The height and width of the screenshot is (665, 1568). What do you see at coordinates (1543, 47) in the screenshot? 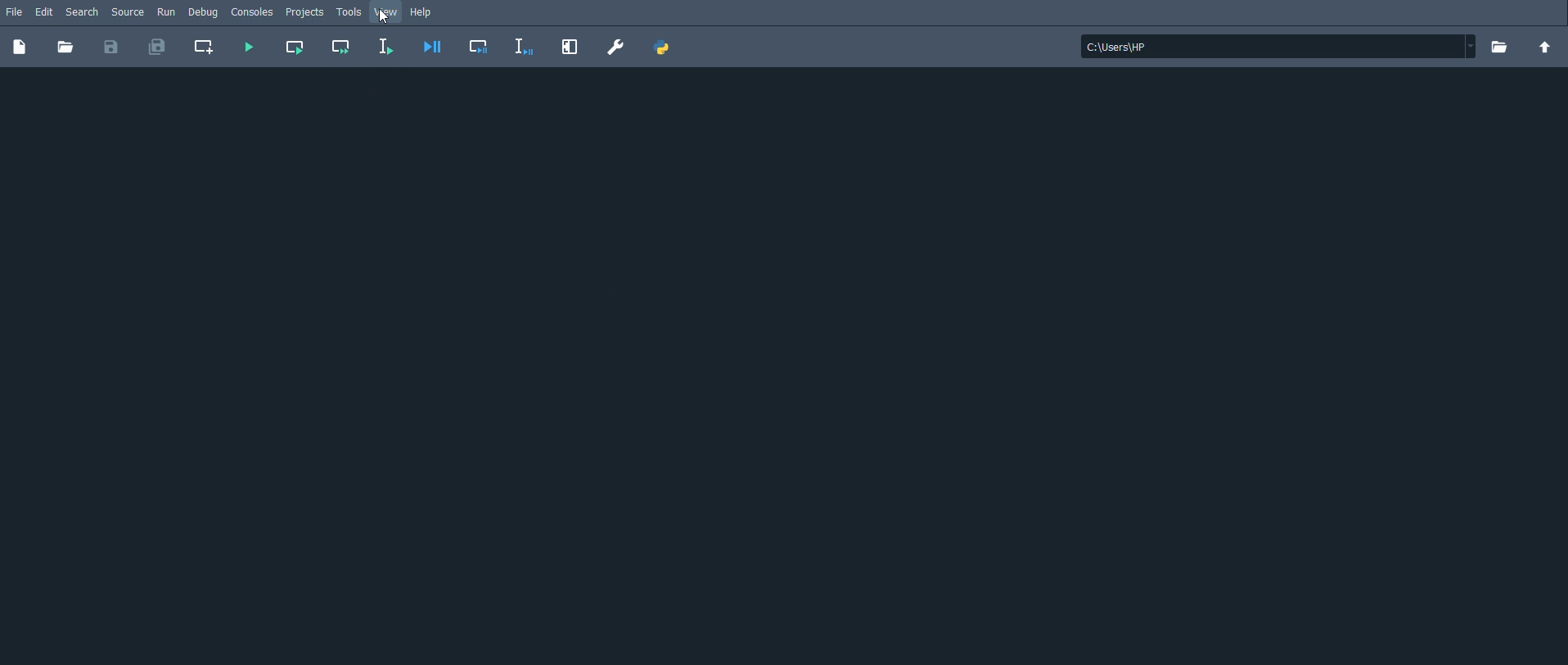
I see `Change to parent directory` at bounding box center [1543, 47].